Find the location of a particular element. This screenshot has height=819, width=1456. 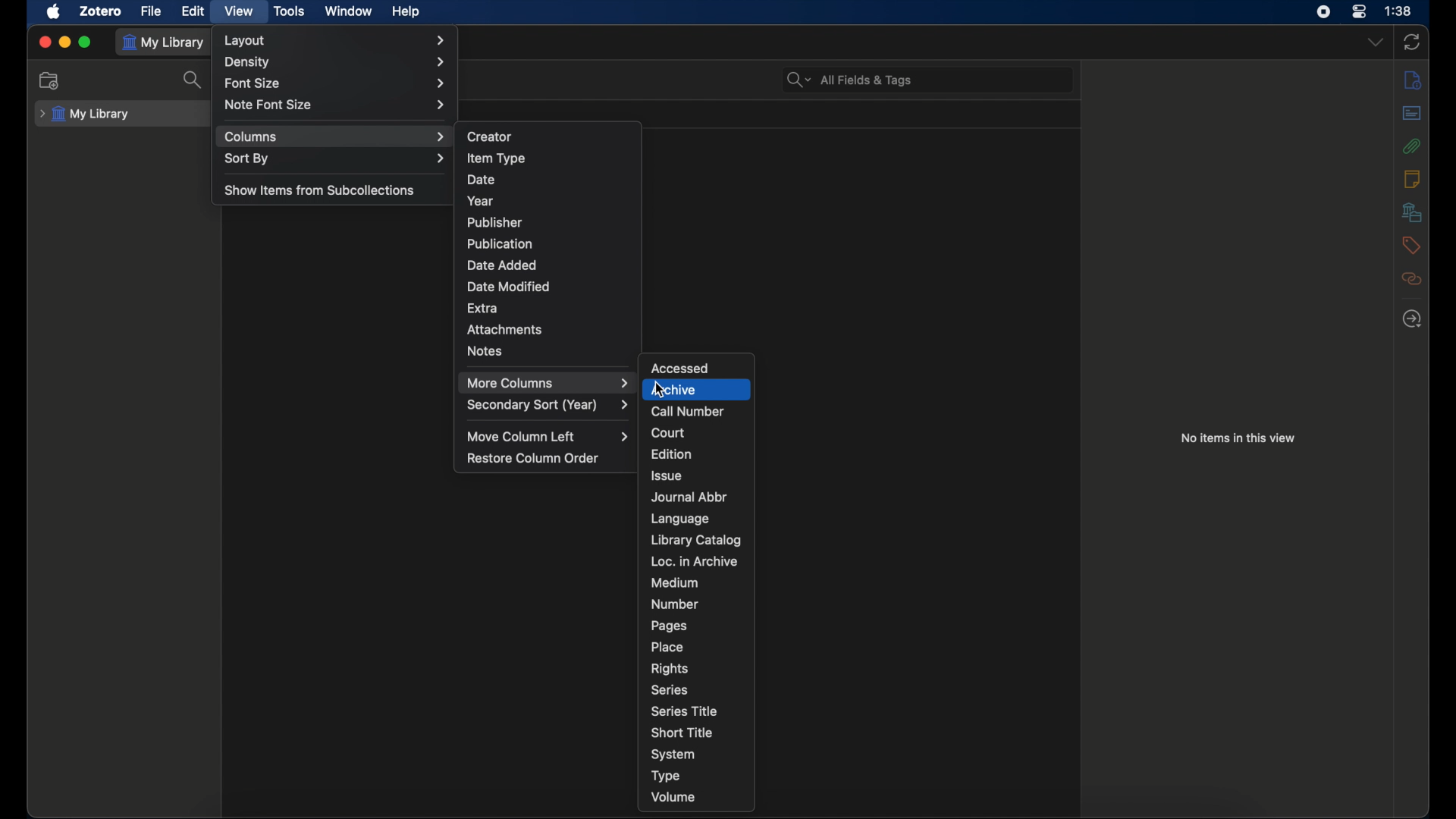

screen recorder is located at coordinates (1323, 12).